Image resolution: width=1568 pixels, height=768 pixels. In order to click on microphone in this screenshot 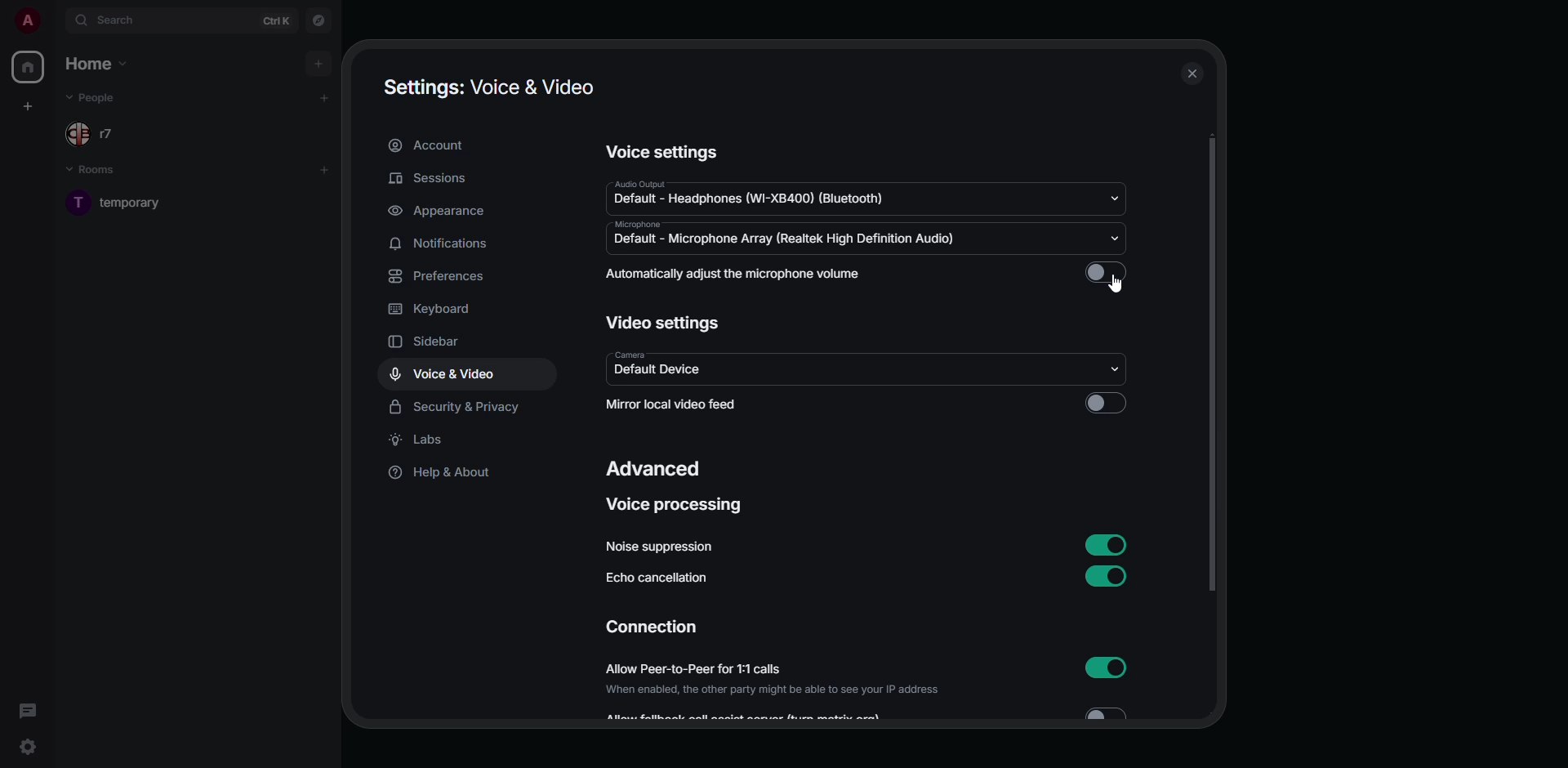, I will do `click(786, 236)`.